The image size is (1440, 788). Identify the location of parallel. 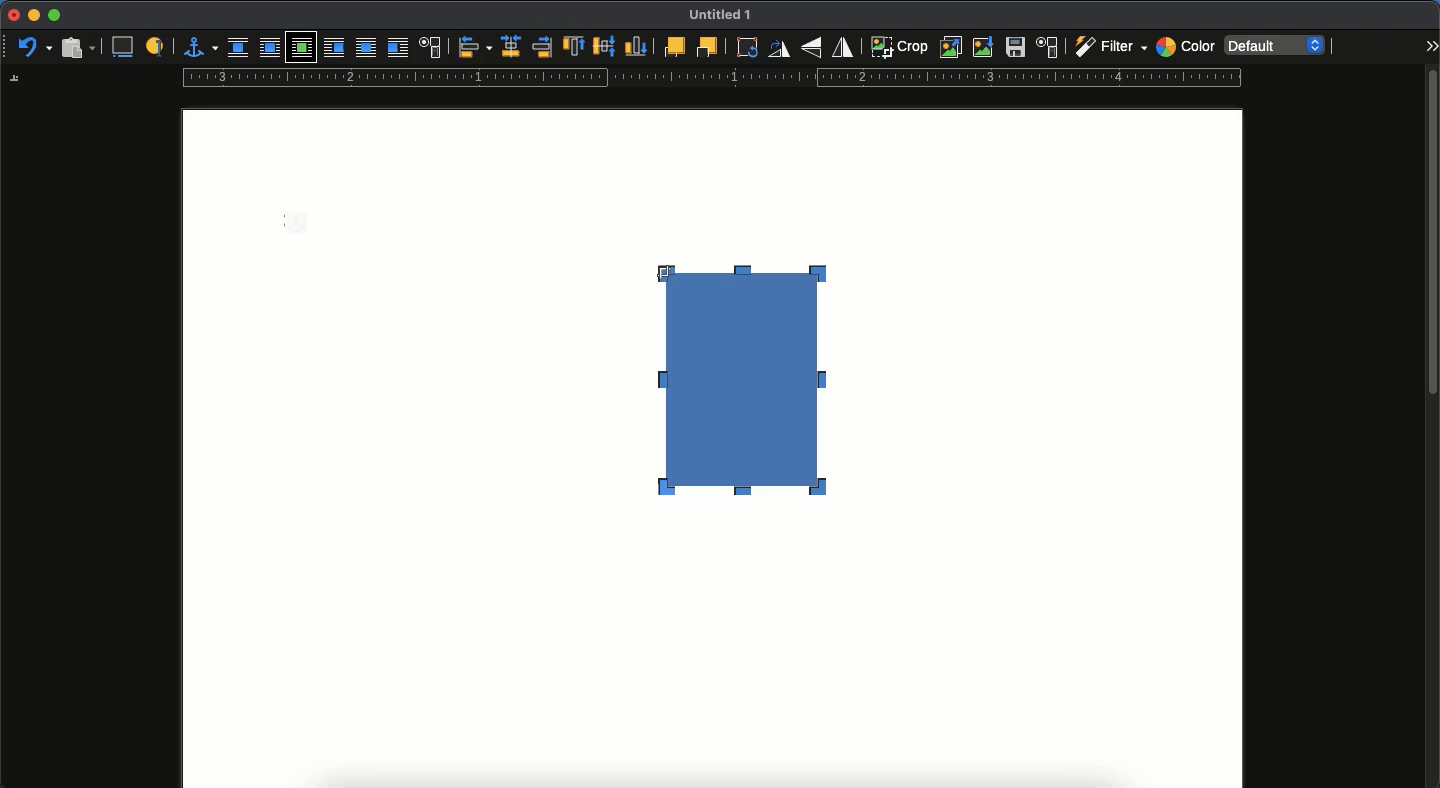
(272, 50).